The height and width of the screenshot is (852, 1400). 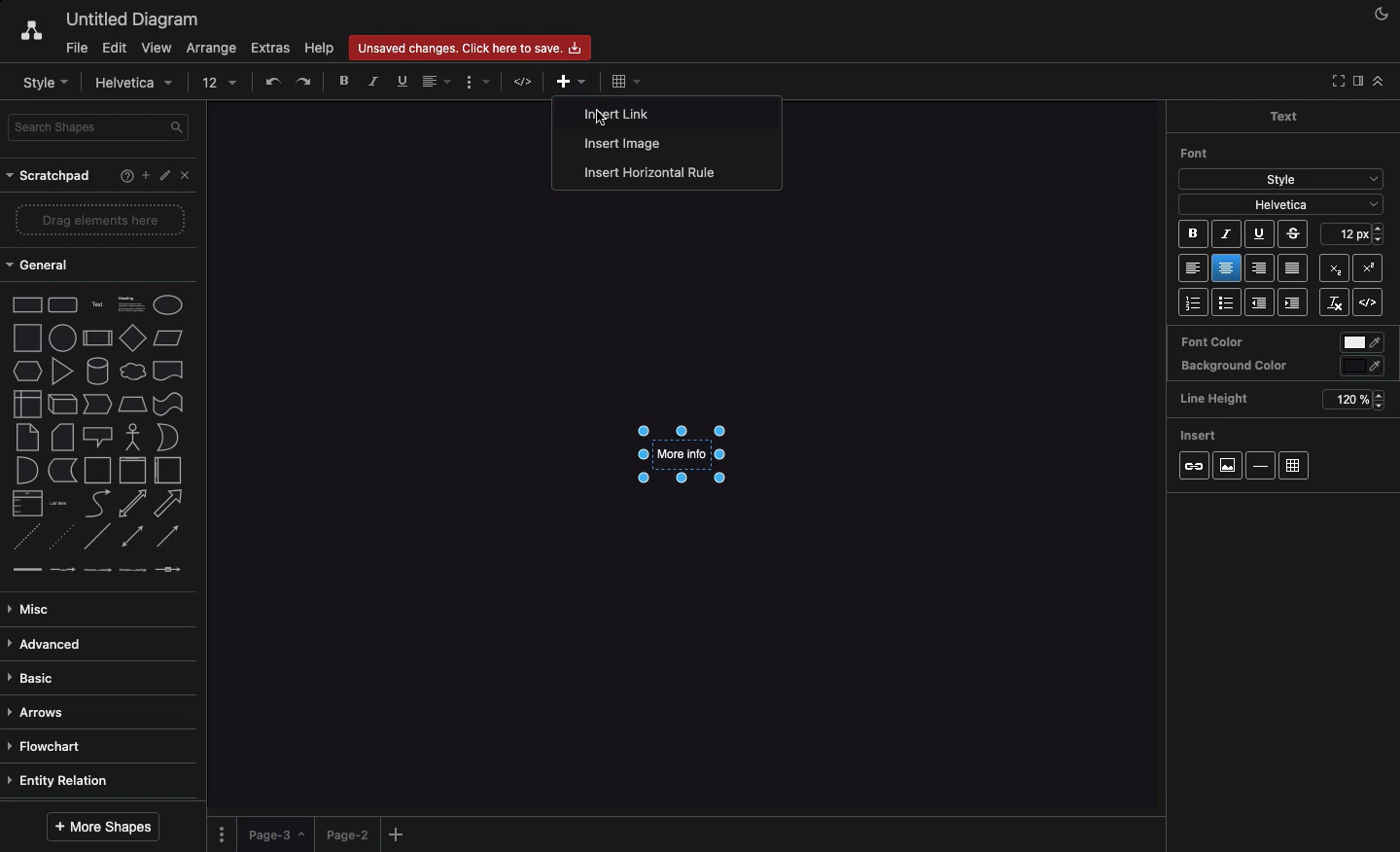 What do you see at coordinates (169, 371) in the screenshot?
I see `document` at bounding box center [169, 371].